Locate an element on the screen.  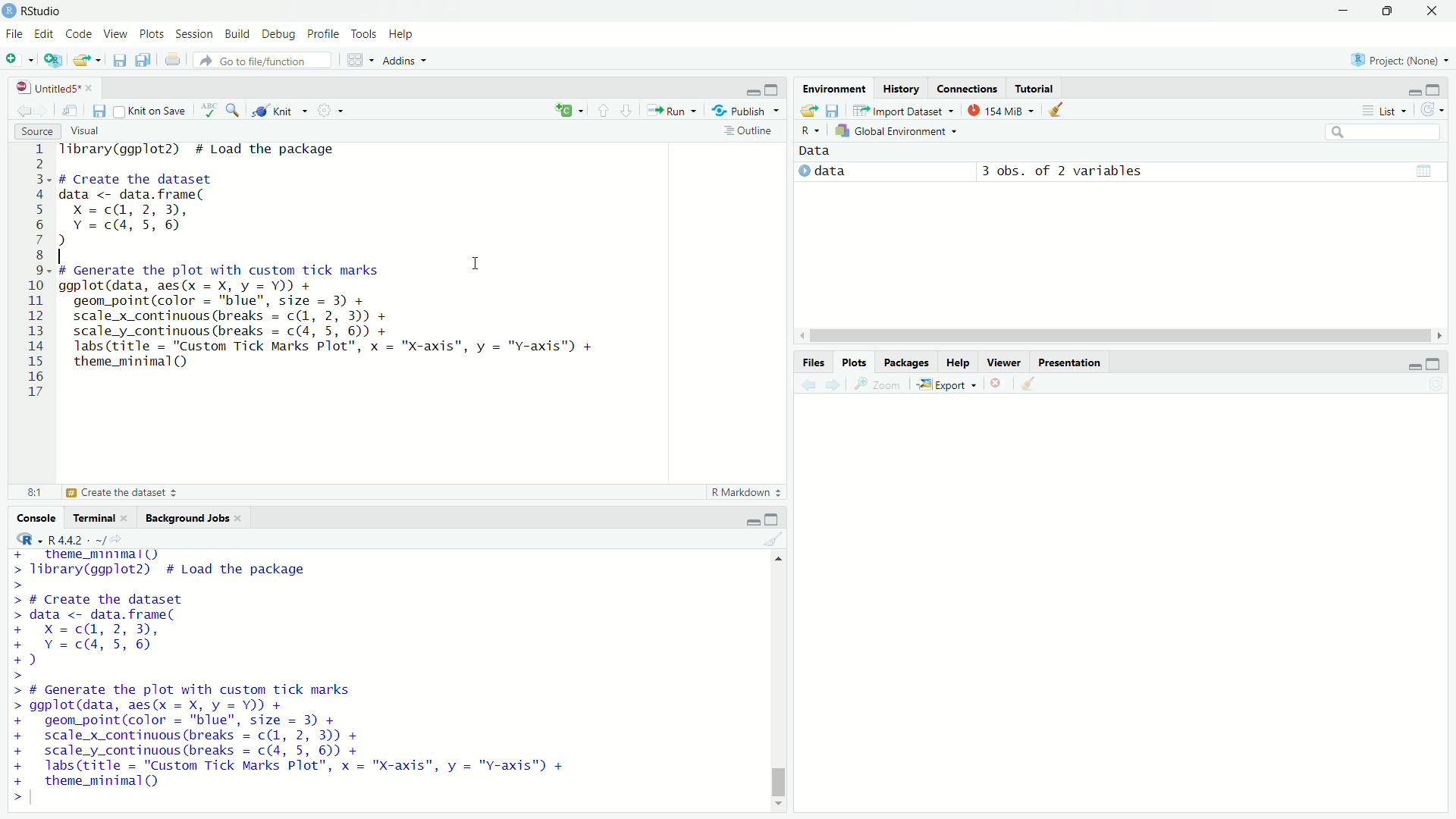
close is located at coordinates (243, 518).